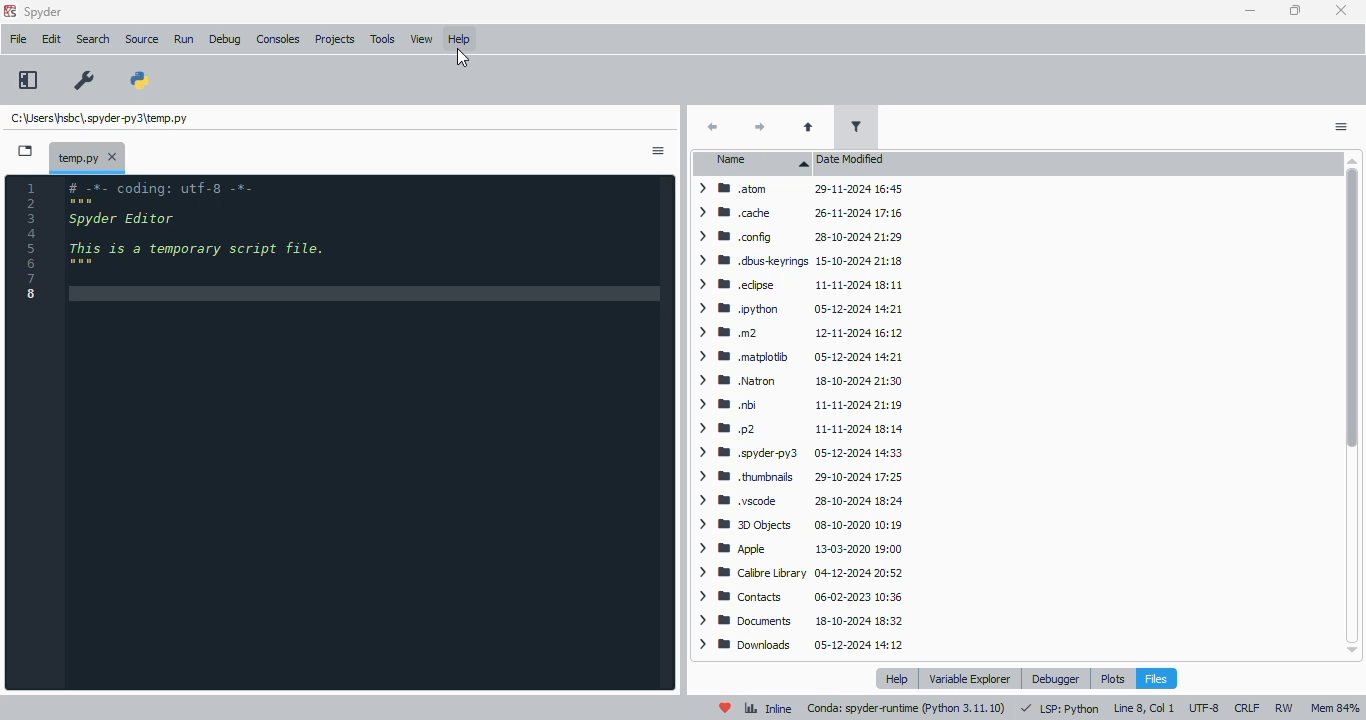  What do you see at coordinates (801, 548) in the screenshot?
I see `> mm Apple 13-03-2020 19:00` at bounding box center [801, 548].